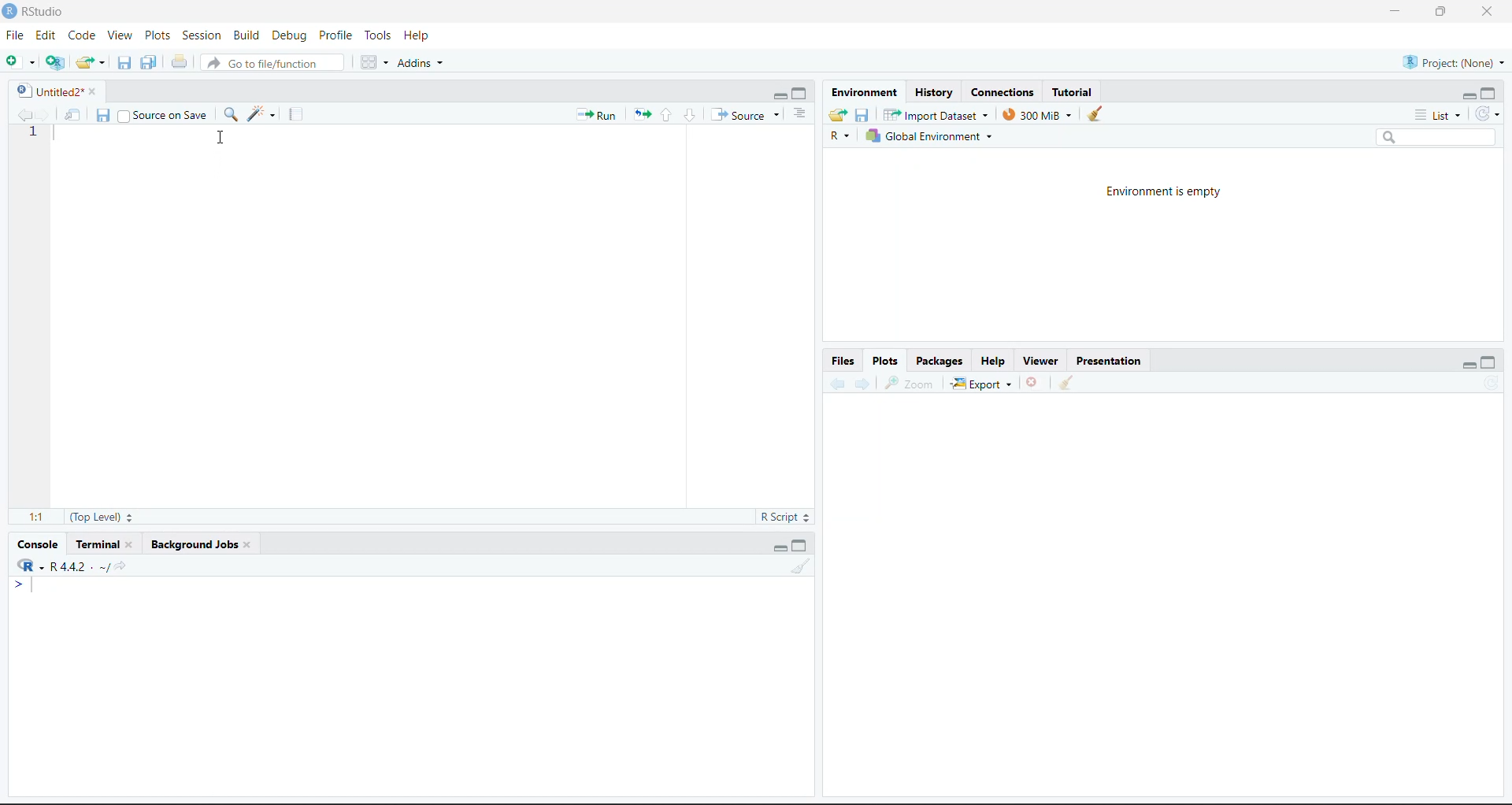  What do you see at coordinates (1100, 114) in the screenshot?
I see `clear history` at bounding box center [1100, 114].